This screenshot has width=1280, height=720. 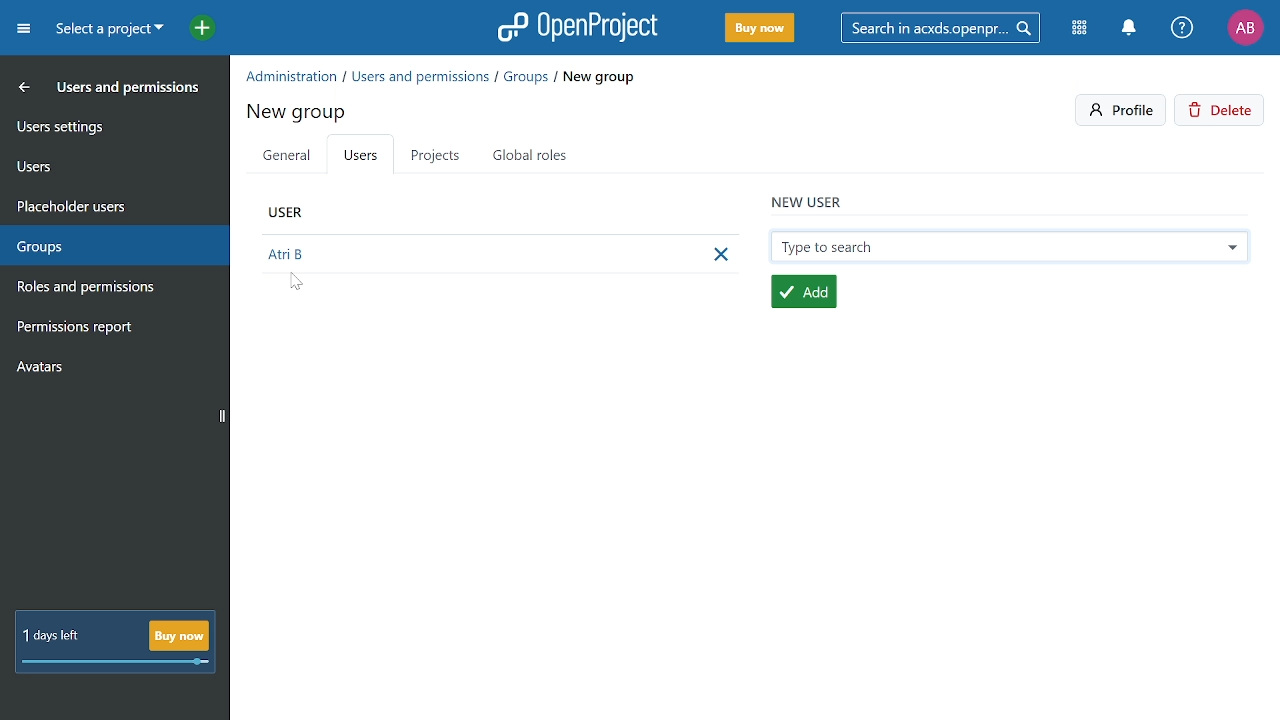 I want to click on Modules, so click(x=1082, y=29).